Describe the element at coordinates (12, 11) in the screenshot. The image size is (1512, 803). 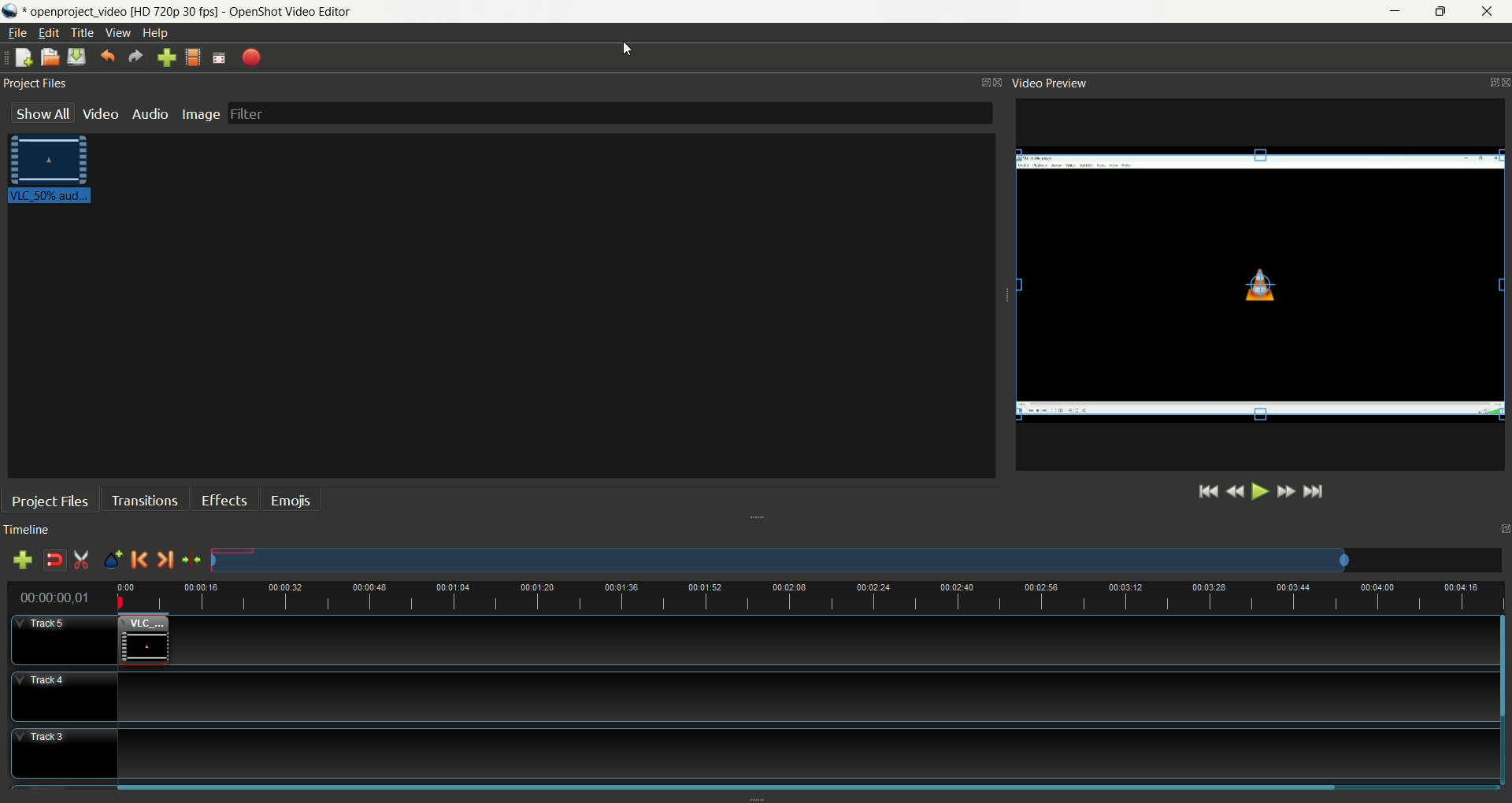
I see `logo` at that location.